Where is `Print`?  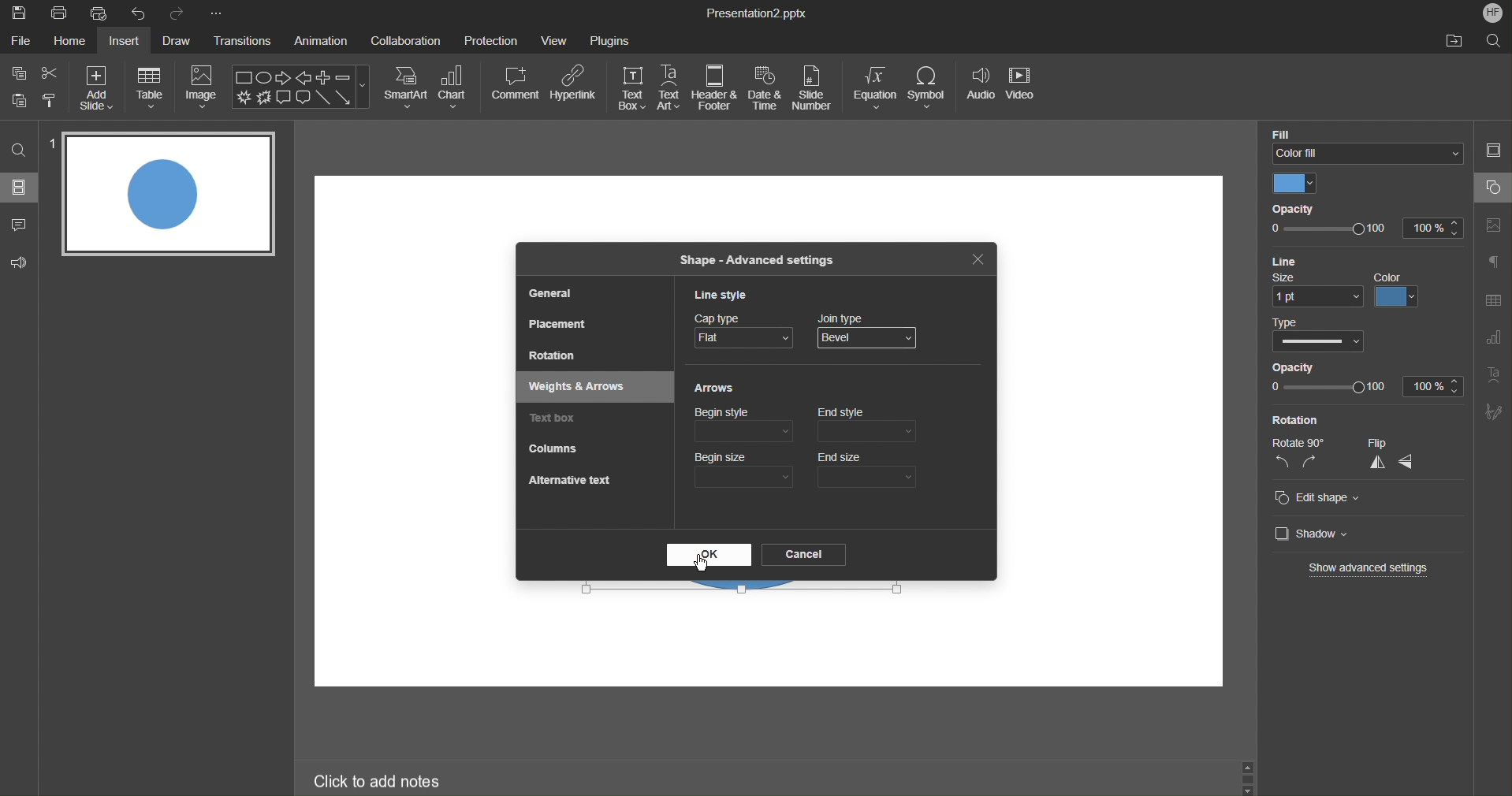 Print is located at coordinates (59, 14).